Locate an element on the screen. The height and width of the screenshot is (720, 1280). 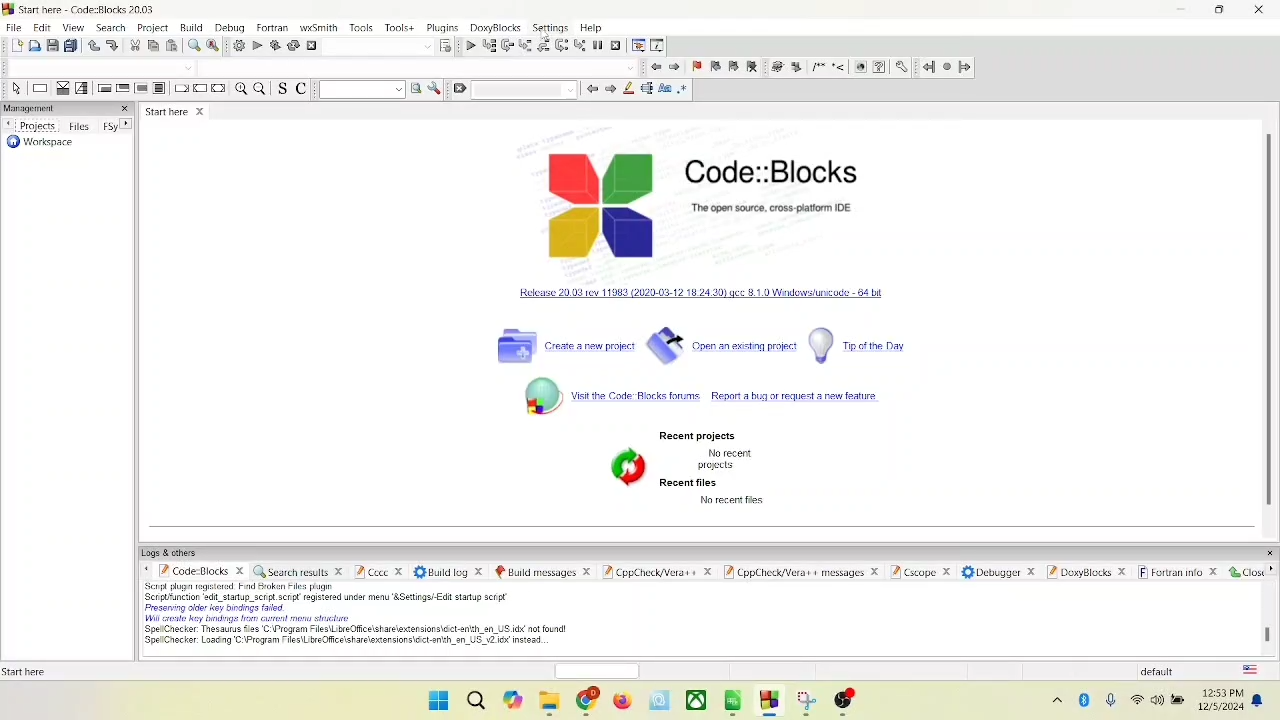
paste is located at coordinates (172, 45).